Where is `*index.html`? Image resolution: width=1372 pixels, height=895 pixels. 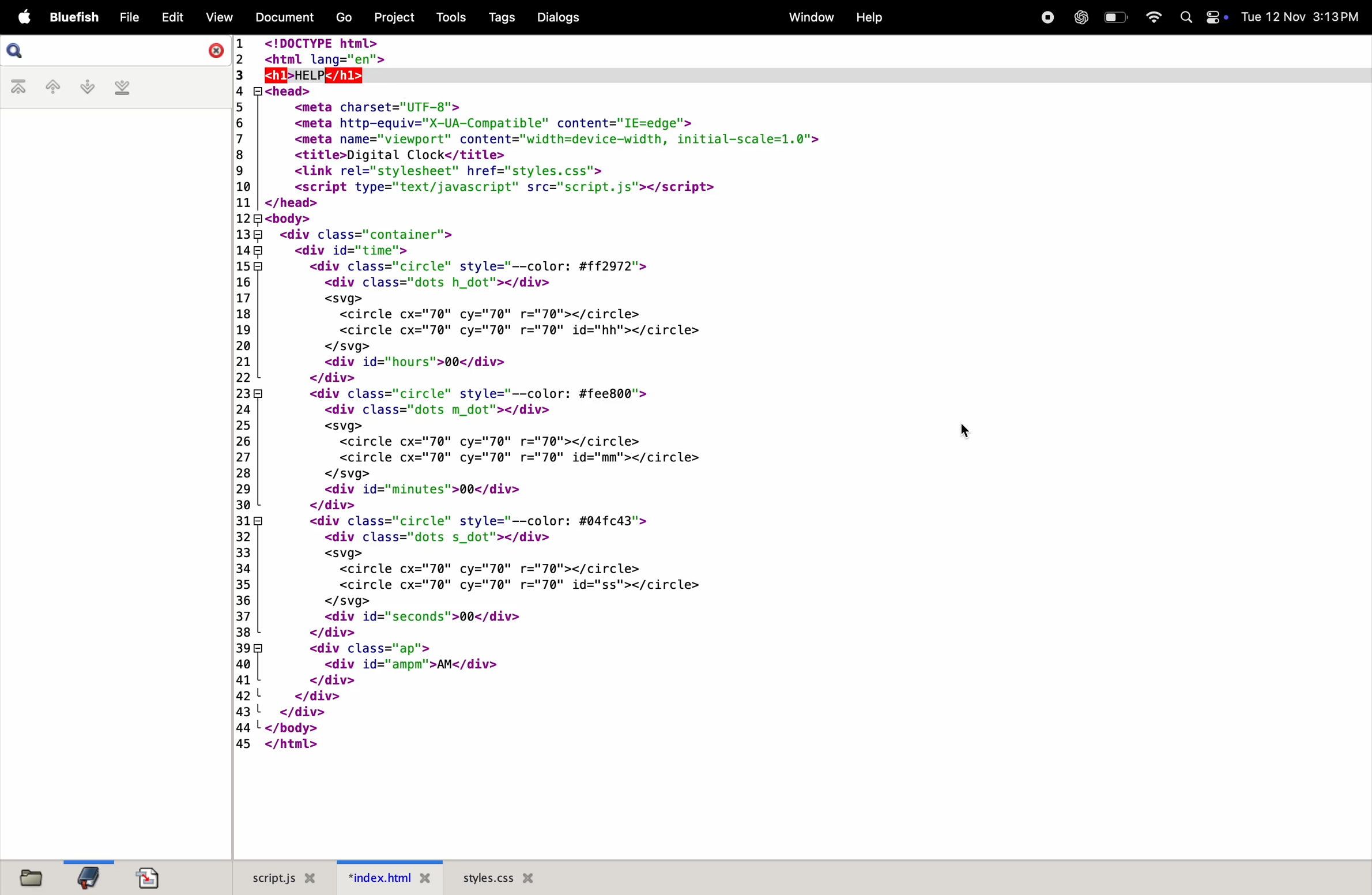
*index.html is located at coordinates (385, 877).